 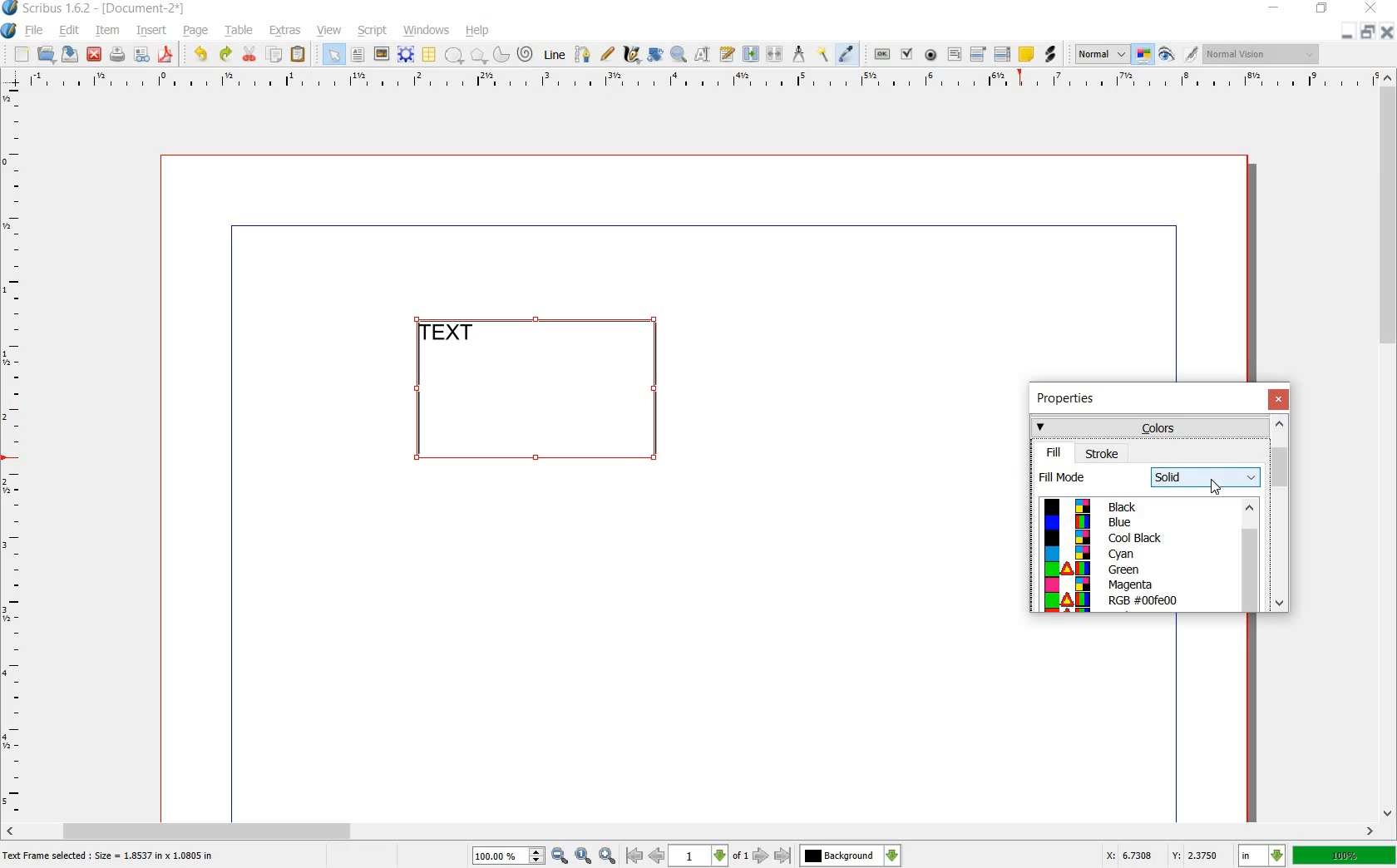 What do you see at coordinates (1026, 54) in the screenshot?
I see `text annotation` at bounding box center [1026, 54].